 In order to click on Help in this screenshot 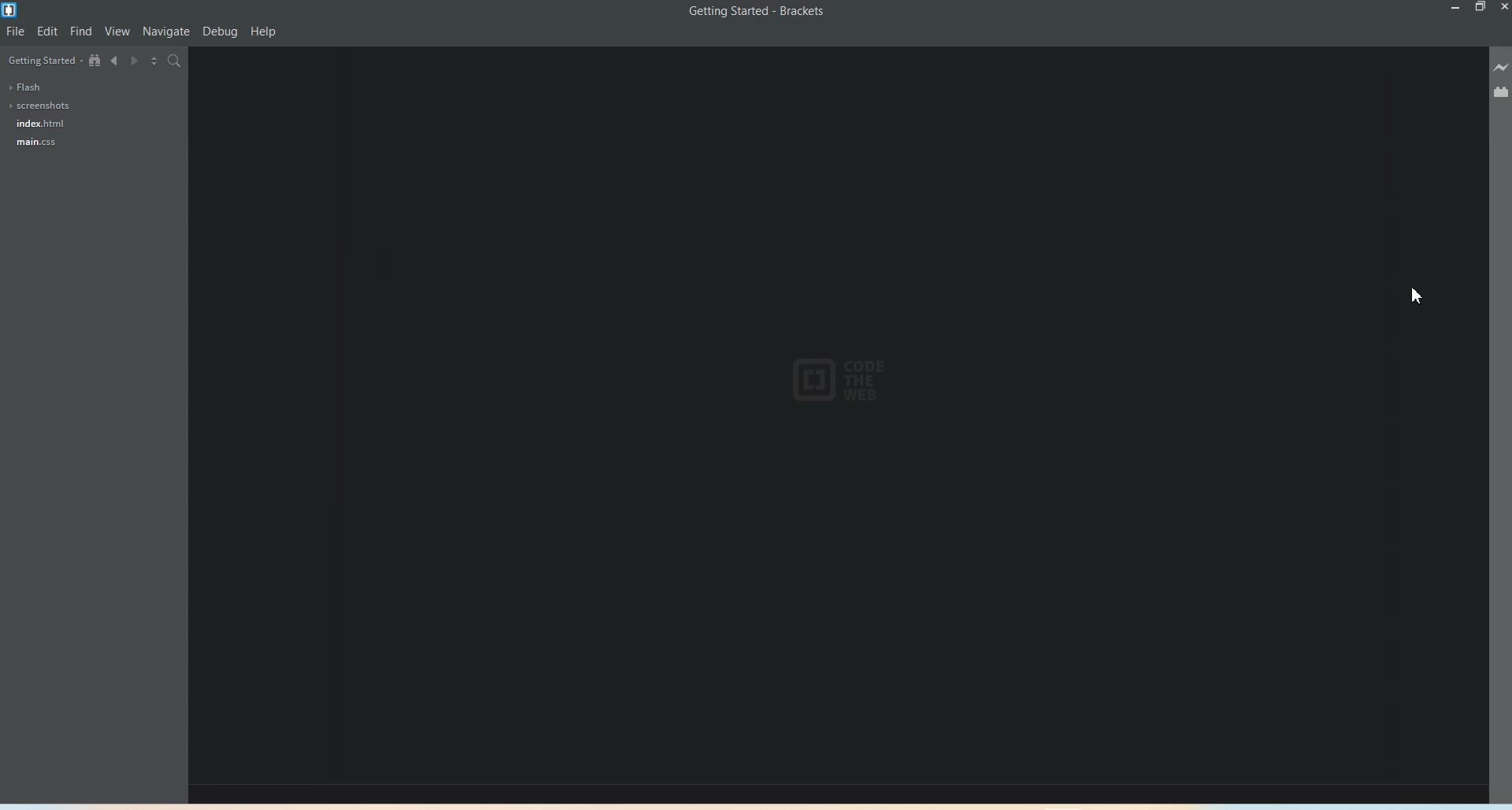, I will do `click(265, 32)`.